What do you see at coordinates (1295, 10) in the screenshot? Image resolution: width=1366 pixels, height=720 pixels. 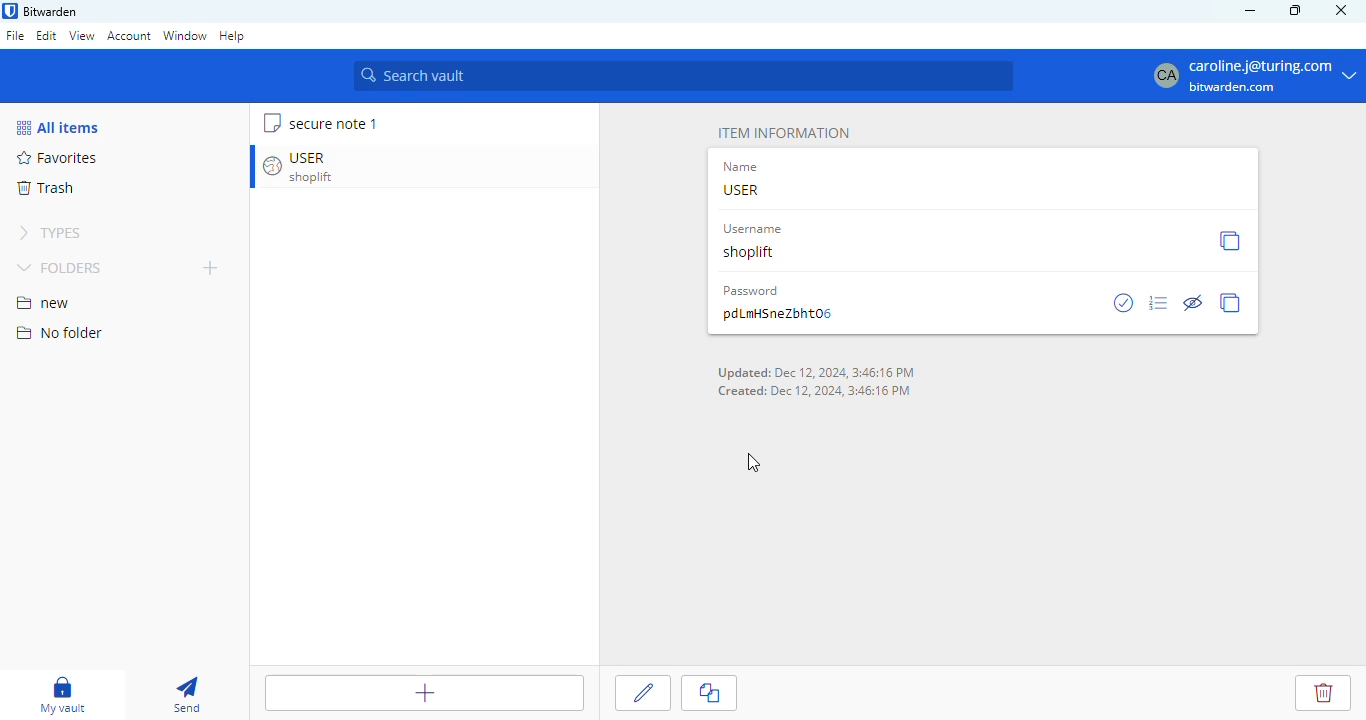 I see `maximize` at bounding box center [1295, 10].